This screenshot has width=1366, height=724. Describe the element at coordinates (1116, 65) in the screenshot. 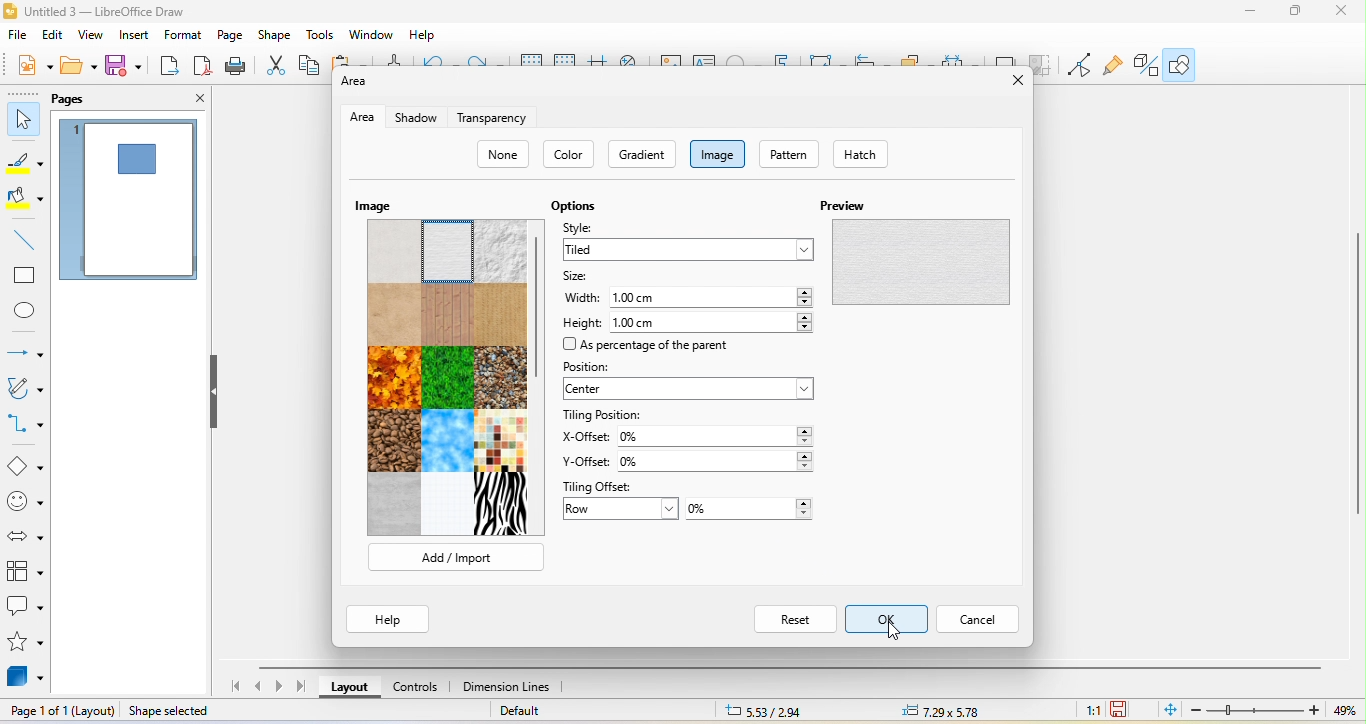

I see `gluepoint function` at that location.